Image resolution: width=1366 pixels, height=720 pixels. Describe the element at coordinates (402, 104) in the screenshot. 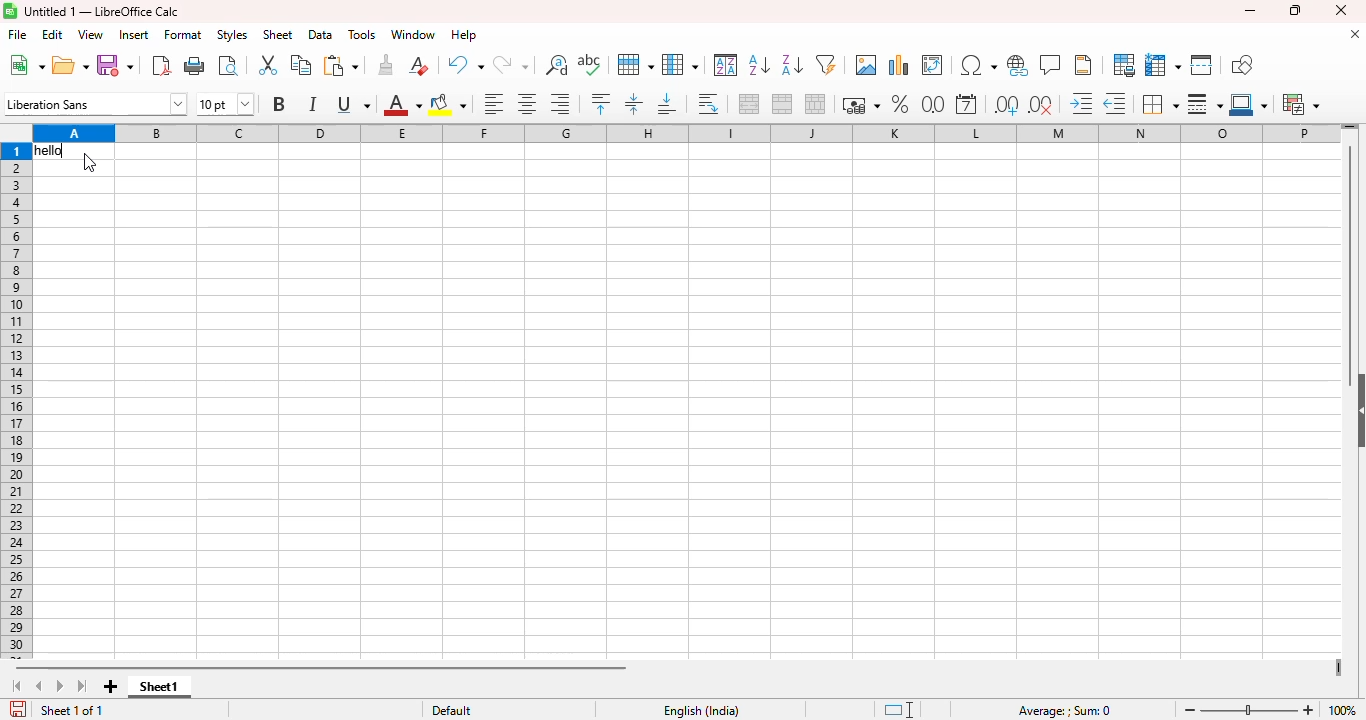

I see `font color` at that location.